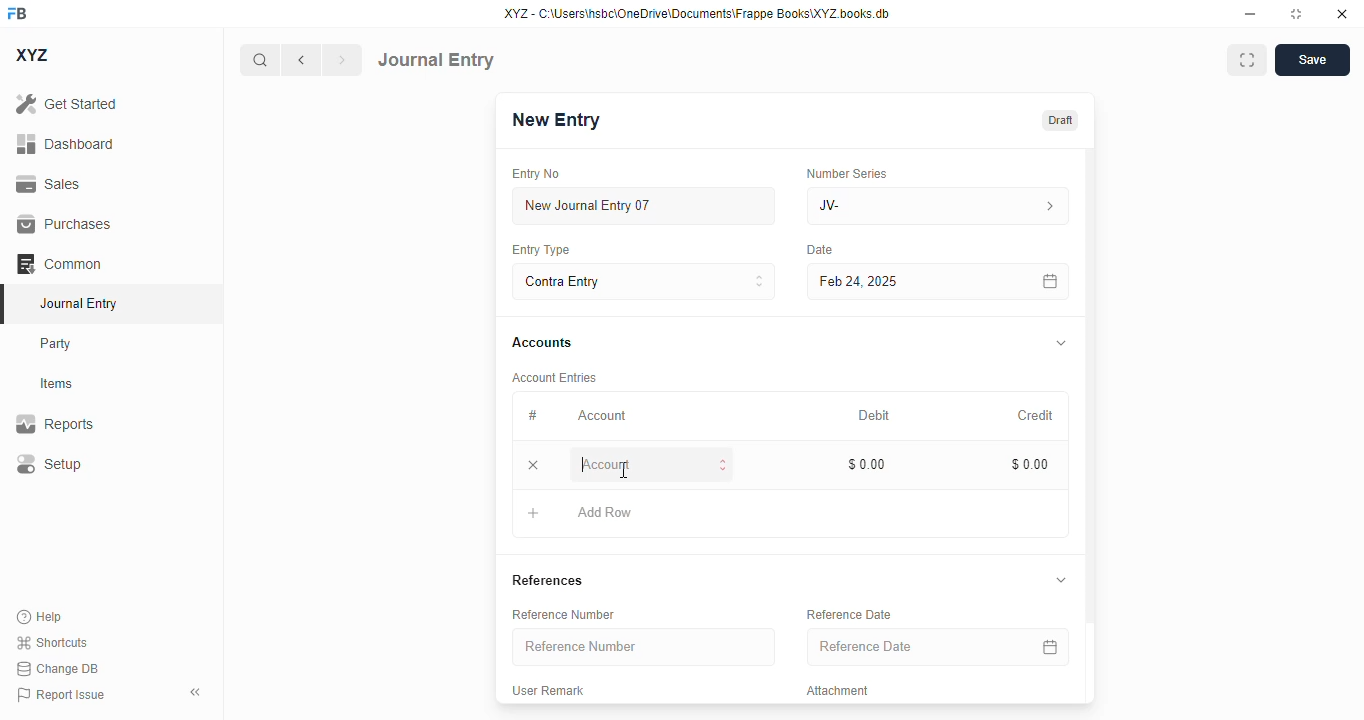 The image size is (1364, 720). Describe the element at coordinates (1312, 60) in the screenshot. I see `save` at that location.